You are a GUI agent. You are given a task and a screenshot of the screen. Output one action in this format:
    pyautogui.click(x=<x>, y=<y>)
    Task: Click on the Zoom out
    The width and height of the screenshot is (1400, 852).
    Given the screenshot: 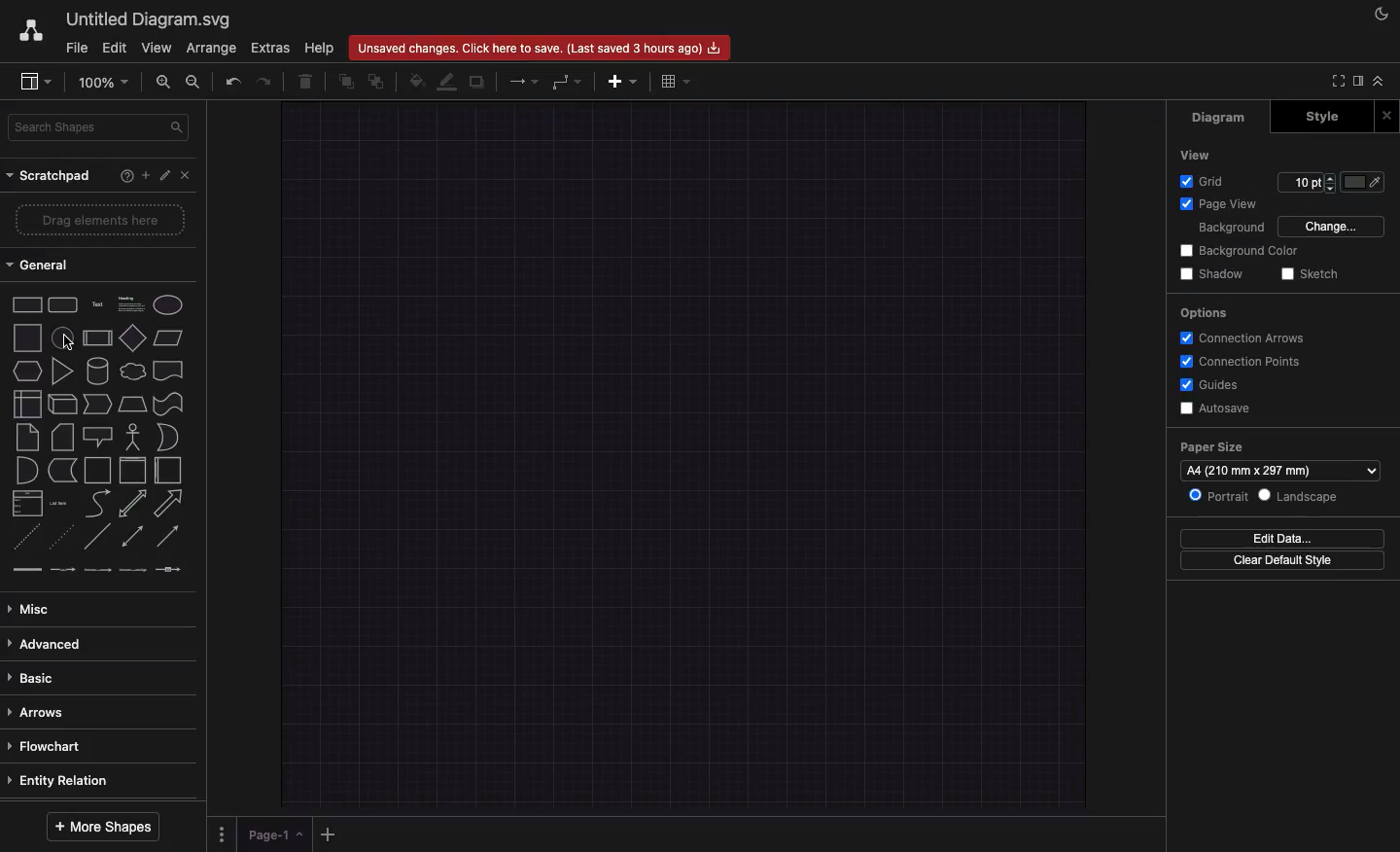 What is the action you would take?
    pyautogui.click(x=194, y=83)
    